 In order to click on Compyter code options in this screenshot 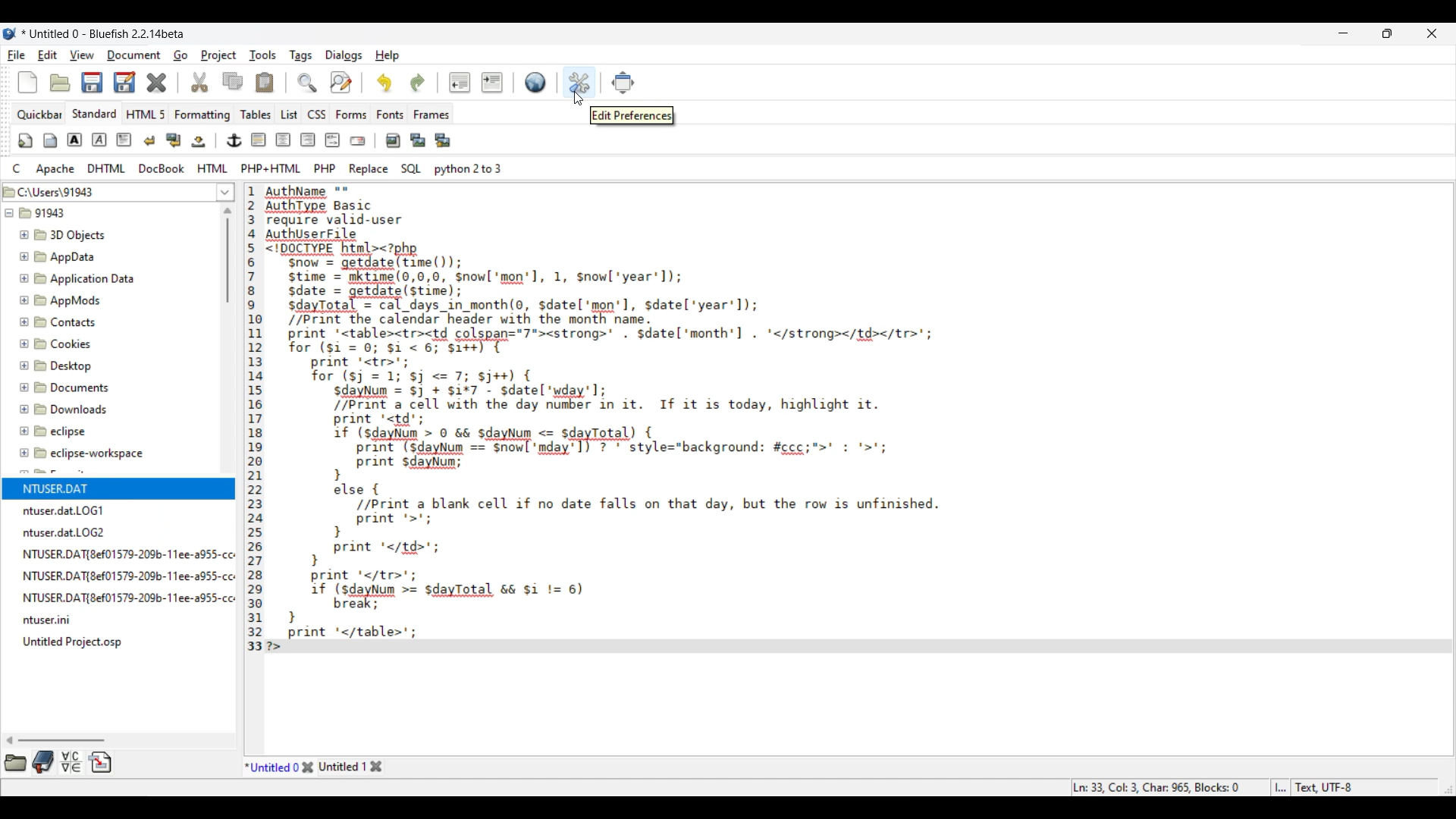, I will do `click(257, 168)`.